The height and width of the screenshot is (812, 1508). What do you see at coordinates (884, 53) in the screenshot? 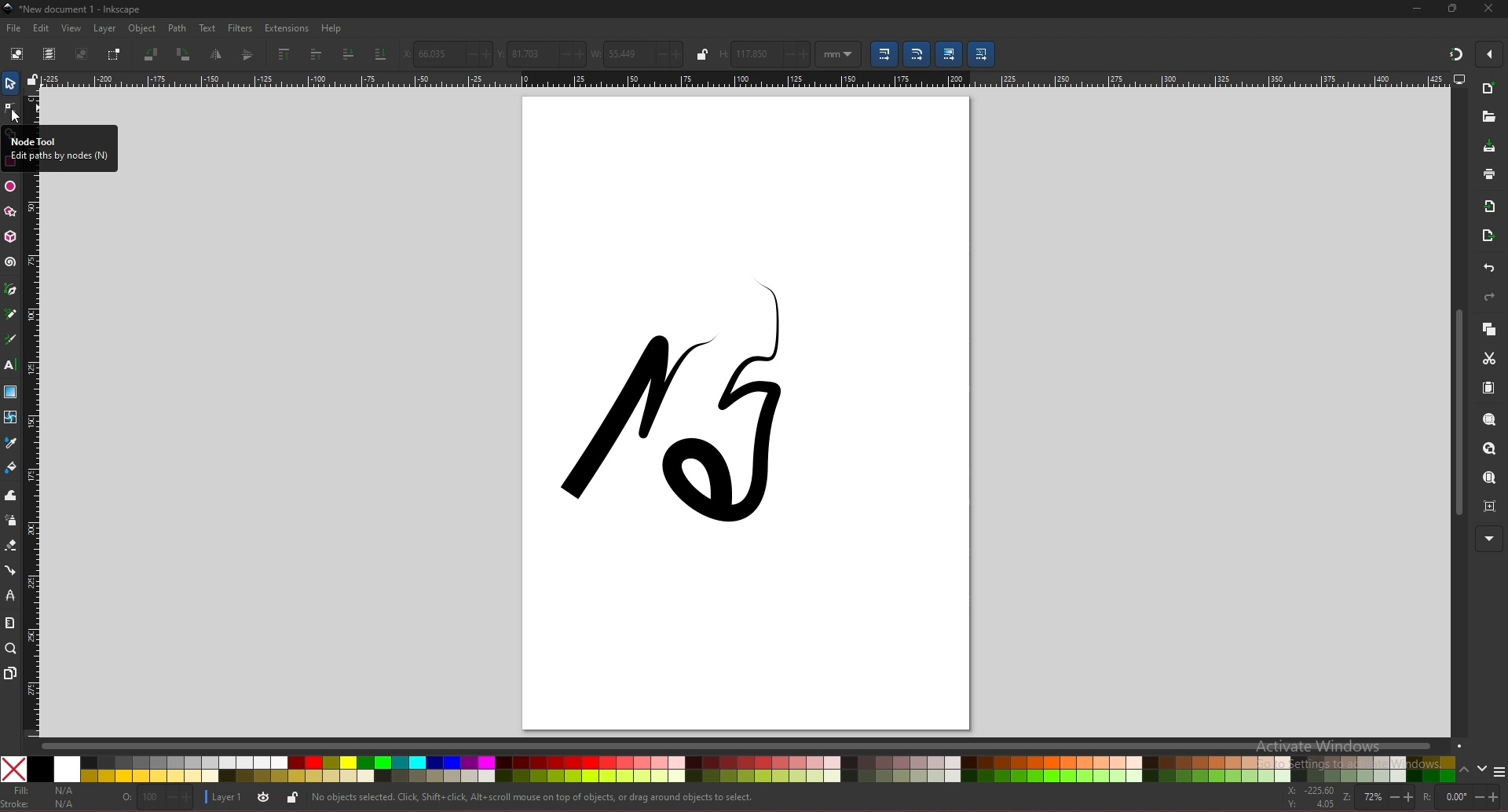
I see `scale stroke width` at bounding box center [884, 53].